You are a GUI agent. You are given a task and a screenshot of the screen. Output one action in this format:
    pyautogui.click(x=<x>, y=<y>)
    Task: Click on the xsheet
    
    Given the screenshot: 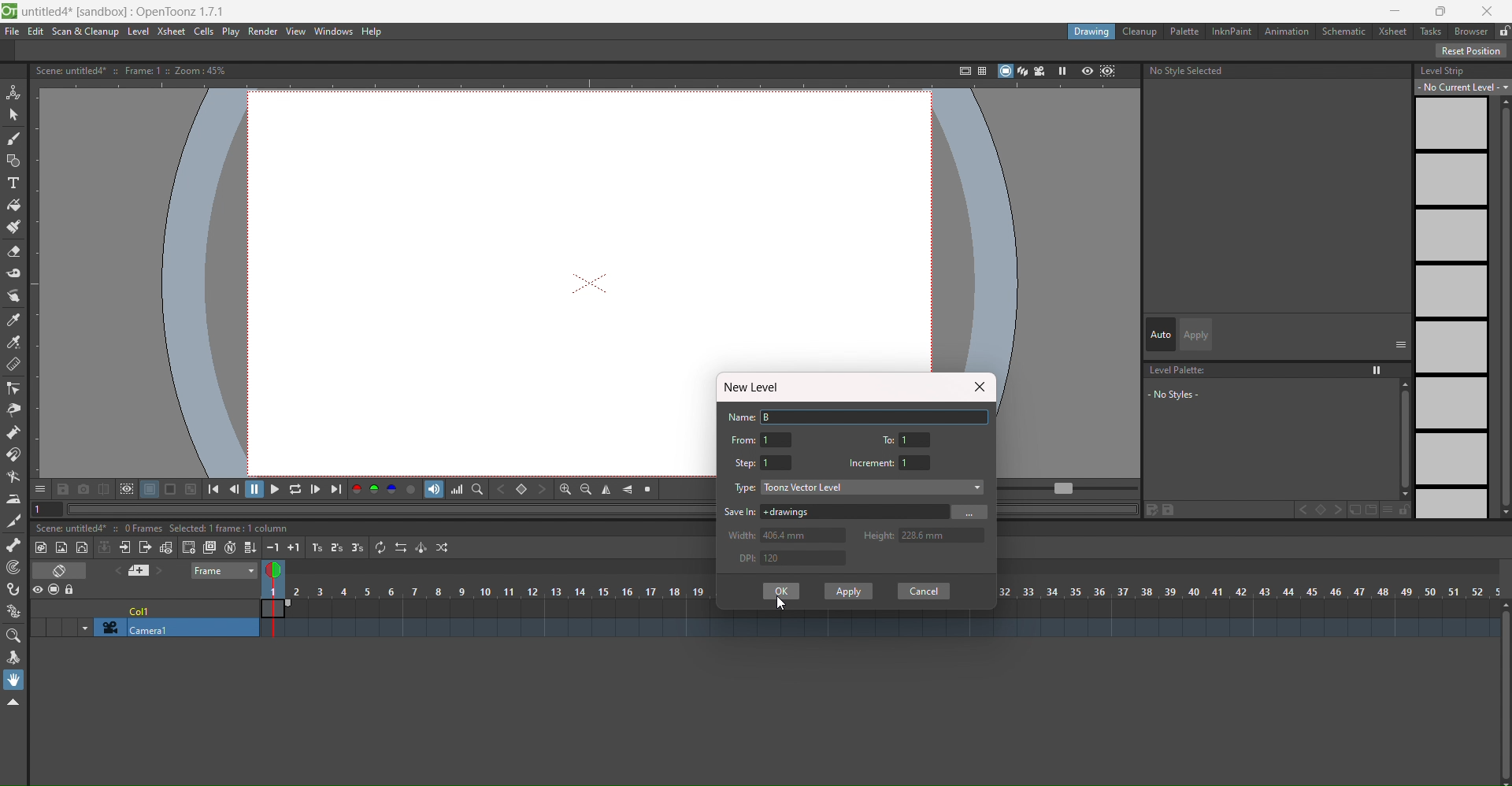 What is the action you would take?
    pyautogui.click(x=1390, y=30)
    